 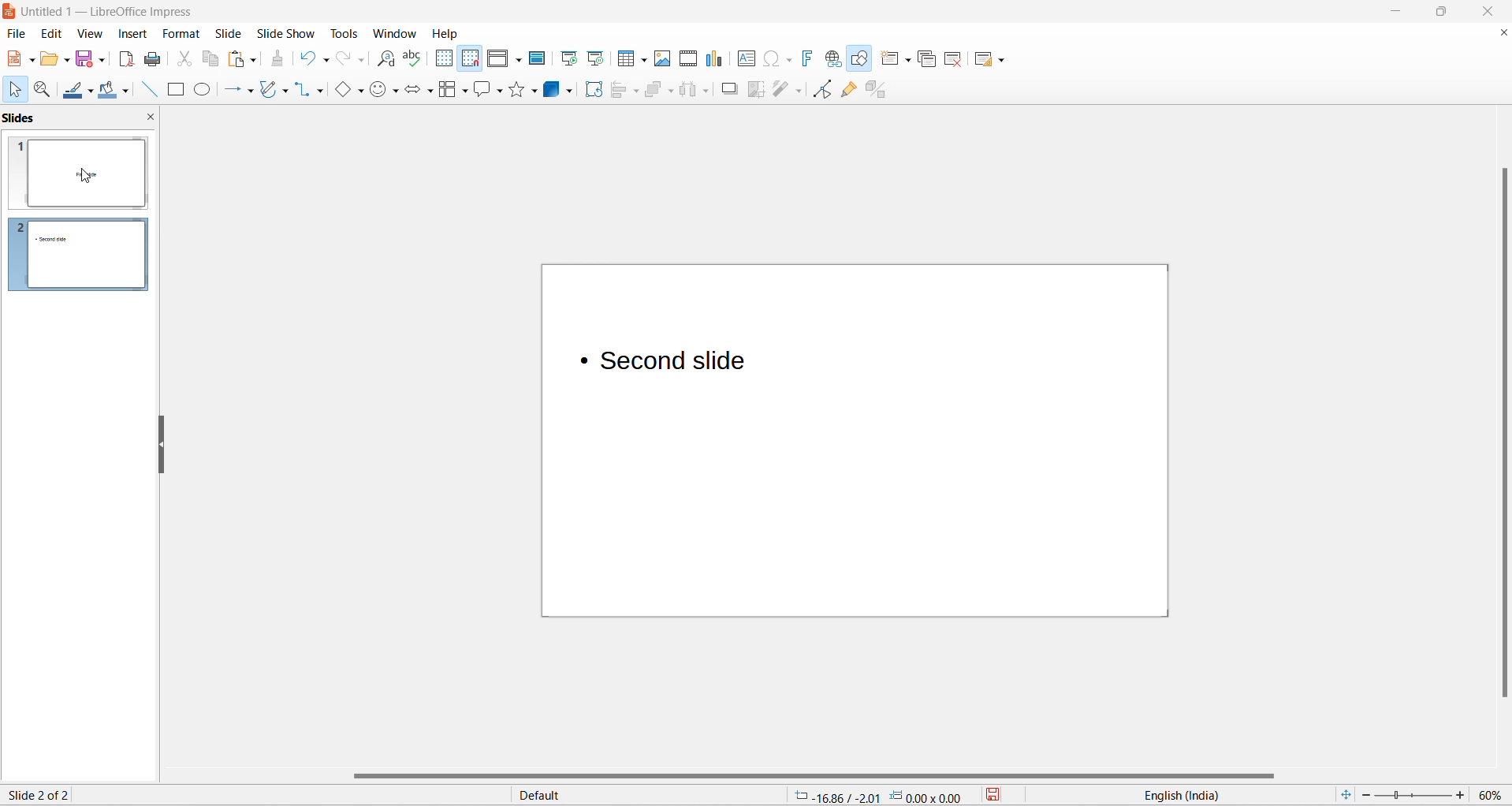 I want to click on spellings, so click(x=415, y=57).